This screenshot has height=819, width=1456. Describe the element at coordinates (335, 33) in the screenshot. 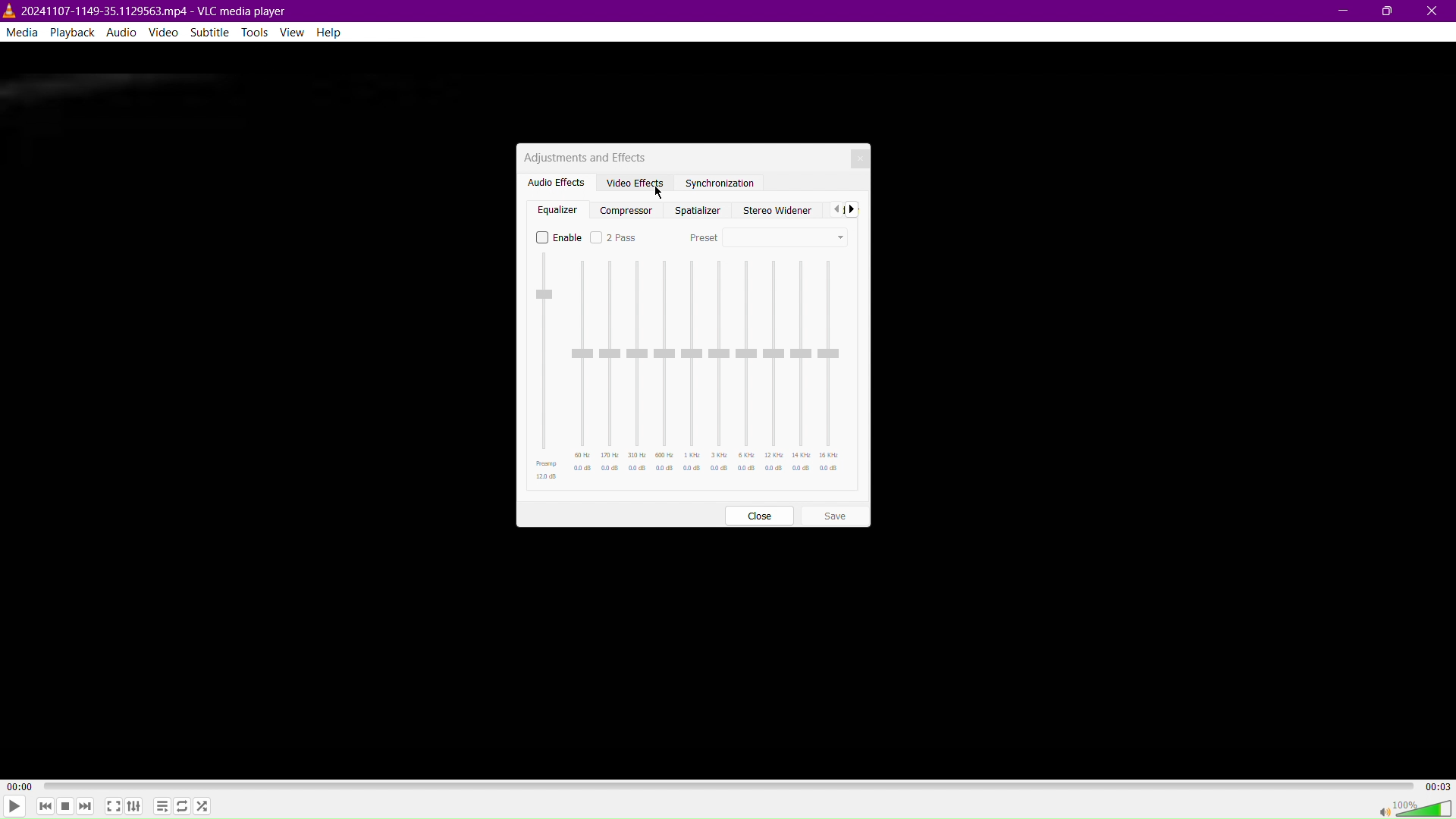

I see `Help` at that location.